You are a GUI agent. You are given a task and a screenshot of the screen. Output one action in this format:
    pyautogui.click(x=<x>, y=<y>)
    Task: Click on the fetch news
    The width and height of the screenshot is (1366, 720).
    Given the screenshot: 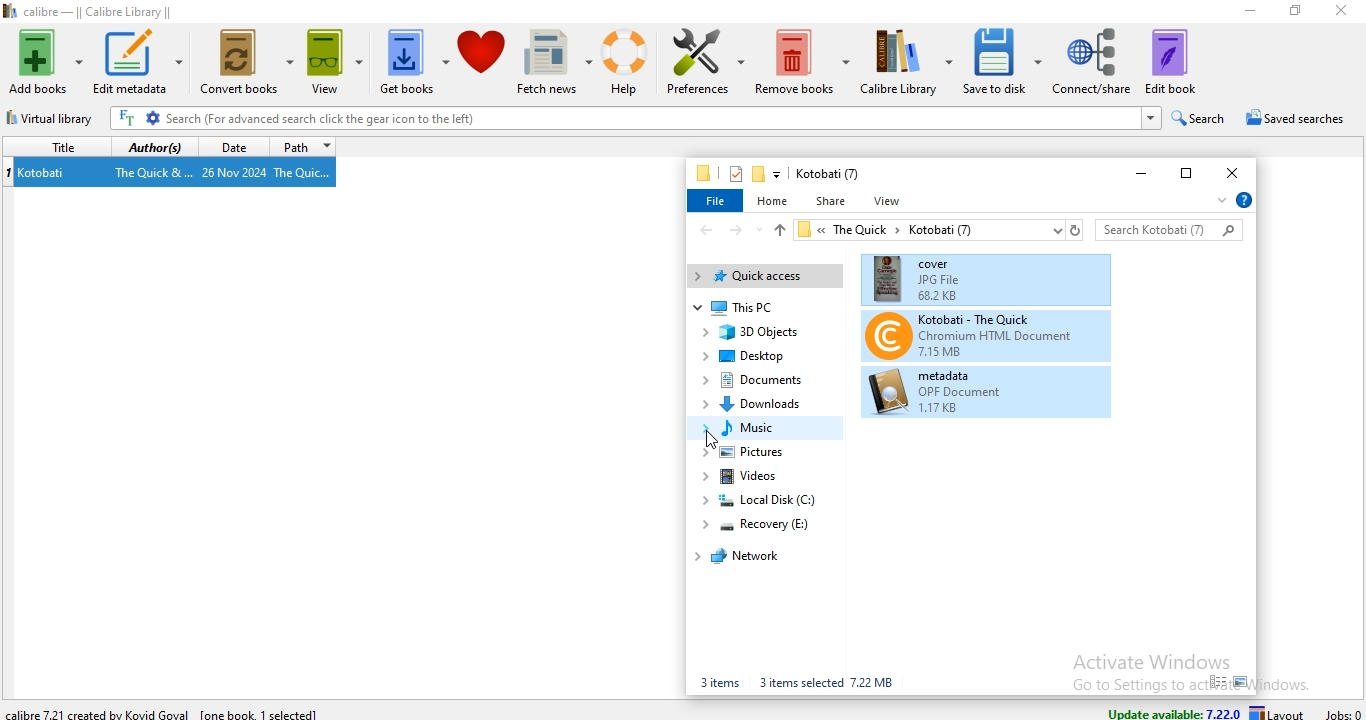 What is the action you would take?
    pyautogui.click(x=554, y=60)
    